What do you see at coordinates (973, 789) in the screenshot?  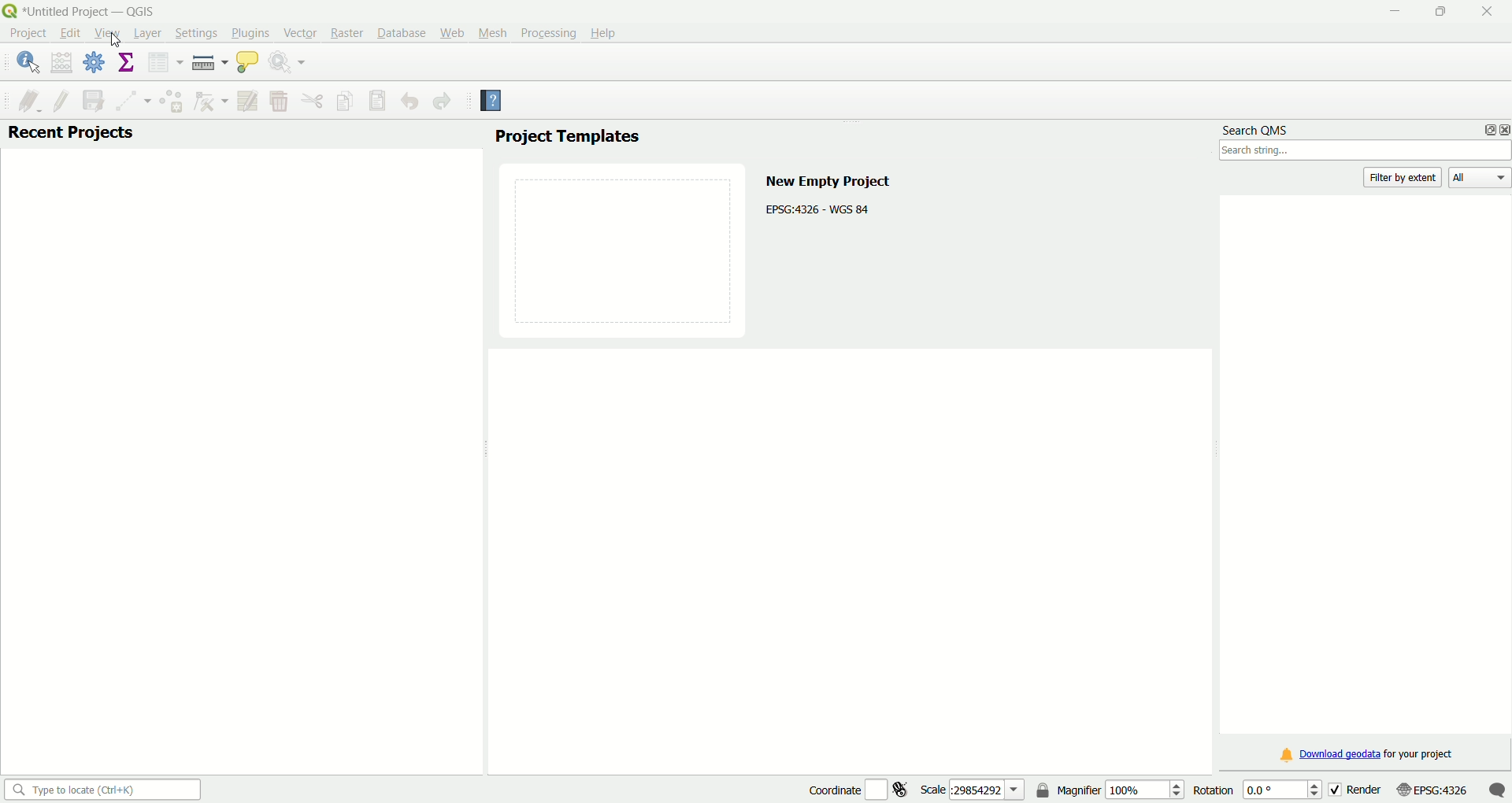 I see `scale` at bounding box center [973, 789].